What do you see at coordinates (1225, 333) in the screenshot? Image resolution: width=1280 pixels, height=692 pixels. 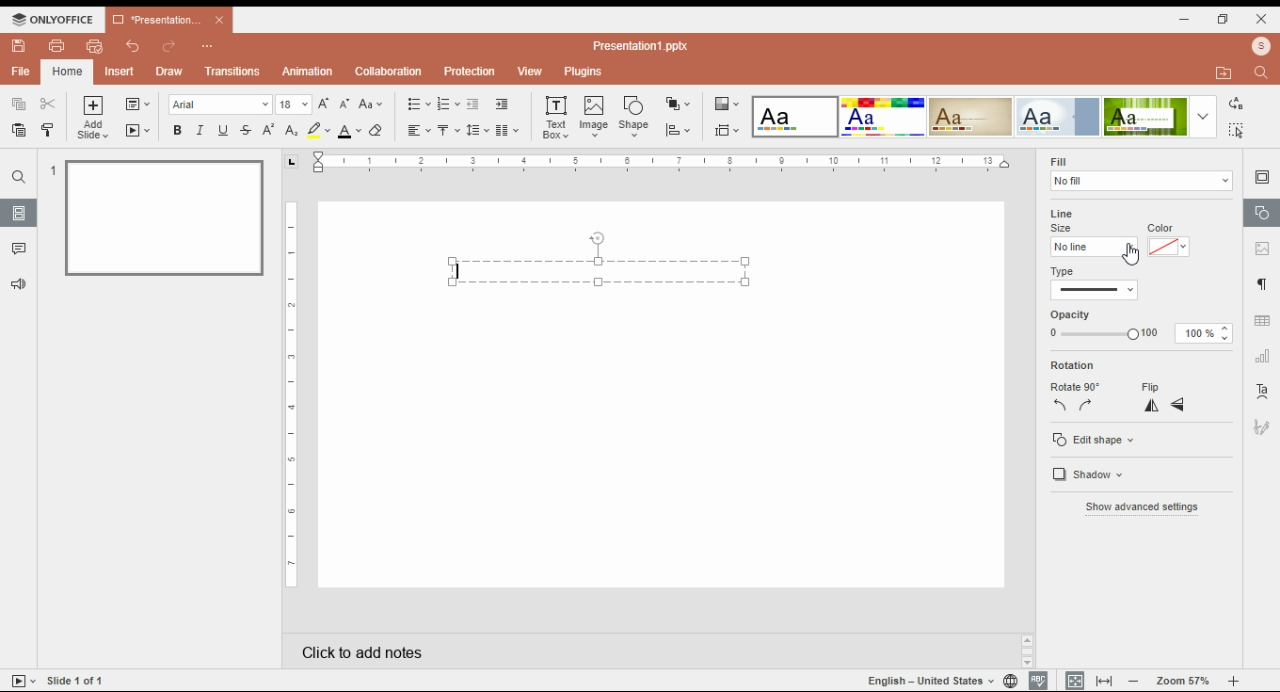 I see `increase/decrease opacity` at bounding box center [1225, 333].